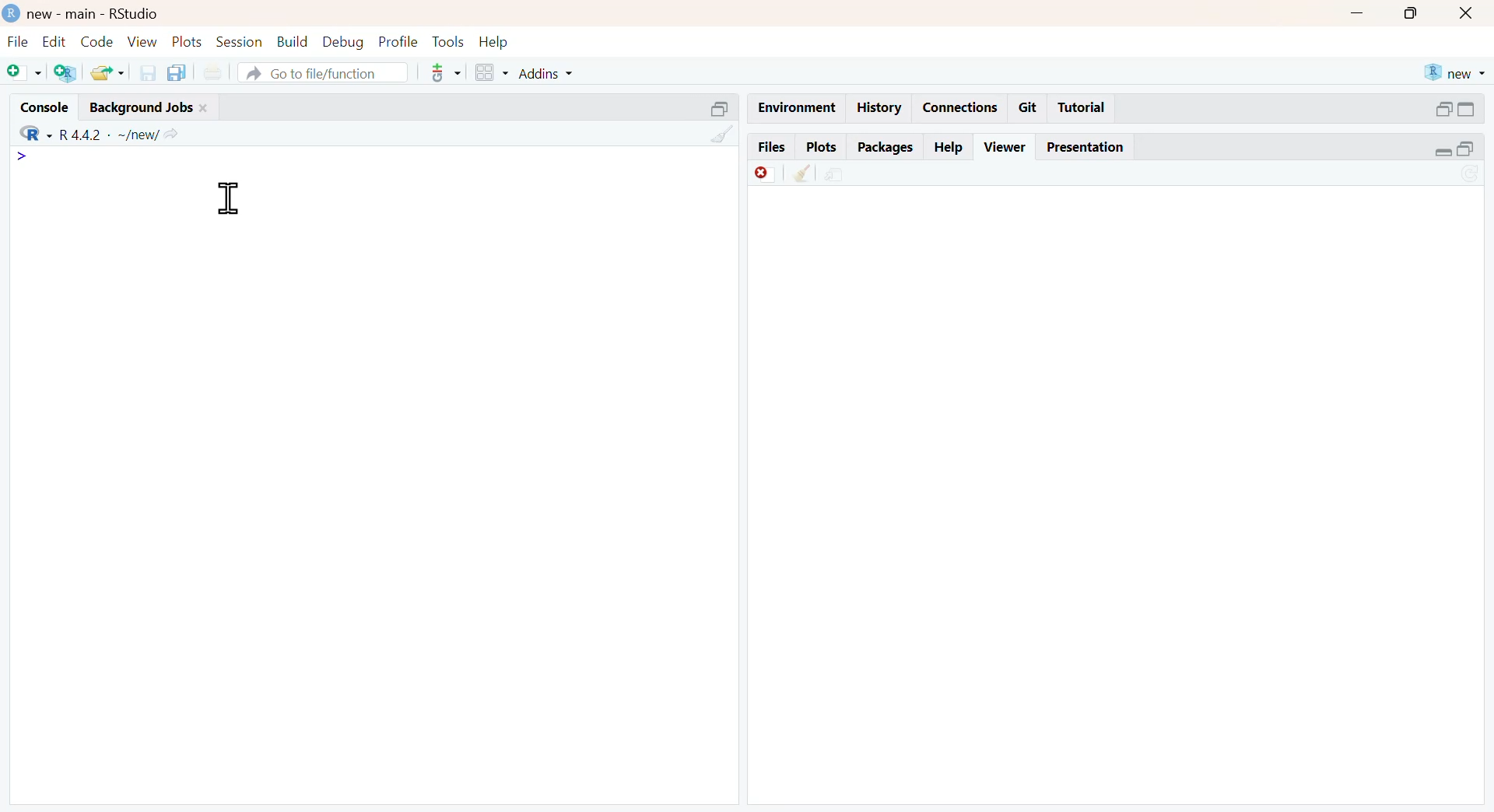 This screenshot has height=812, width=1494. What do you see at coordinates (188, 41) in the screenshot?
I see `plots` at bounding box center [188, 41].